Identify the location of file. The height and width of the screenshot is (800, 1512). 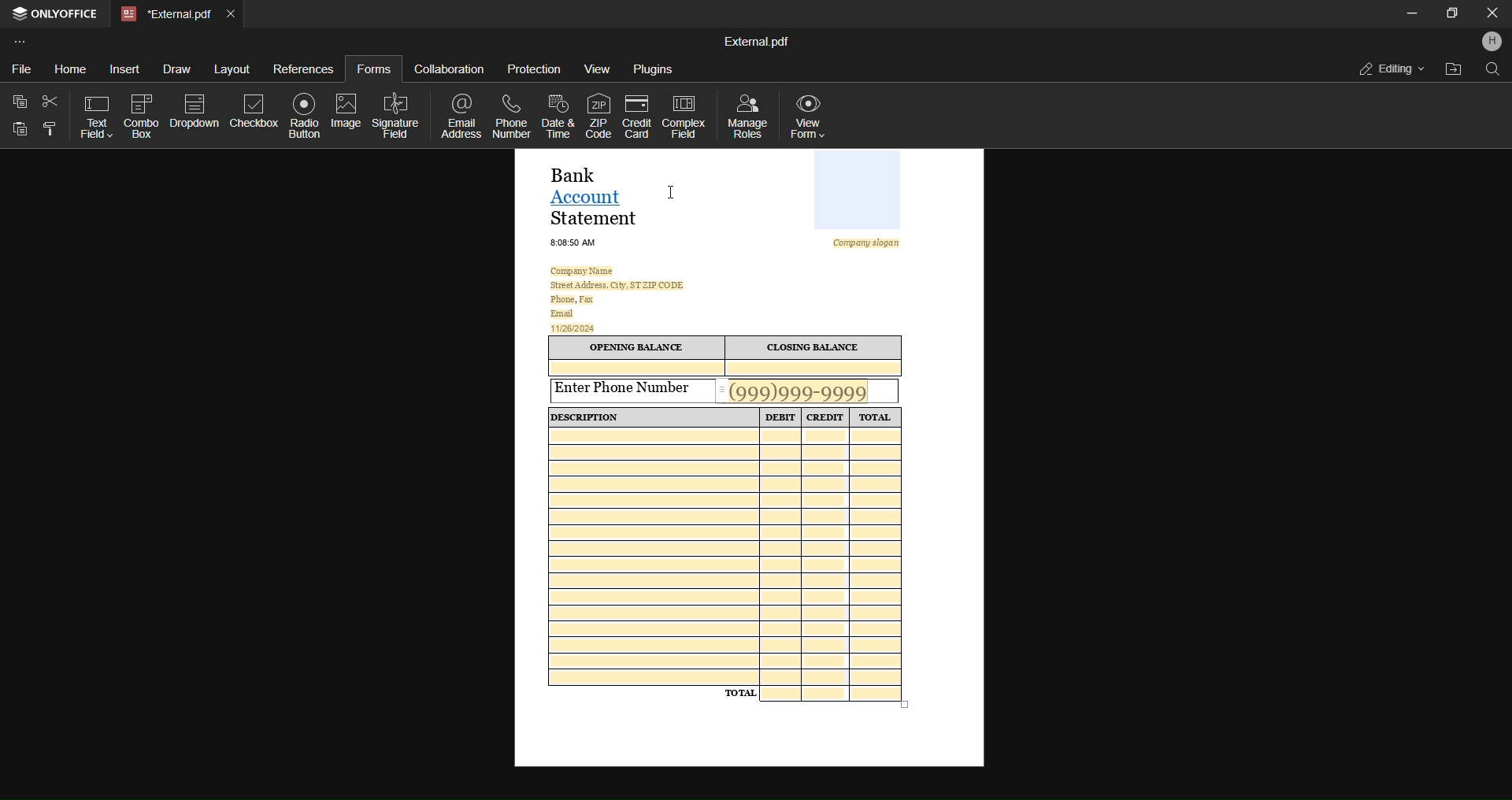
(20, 69).